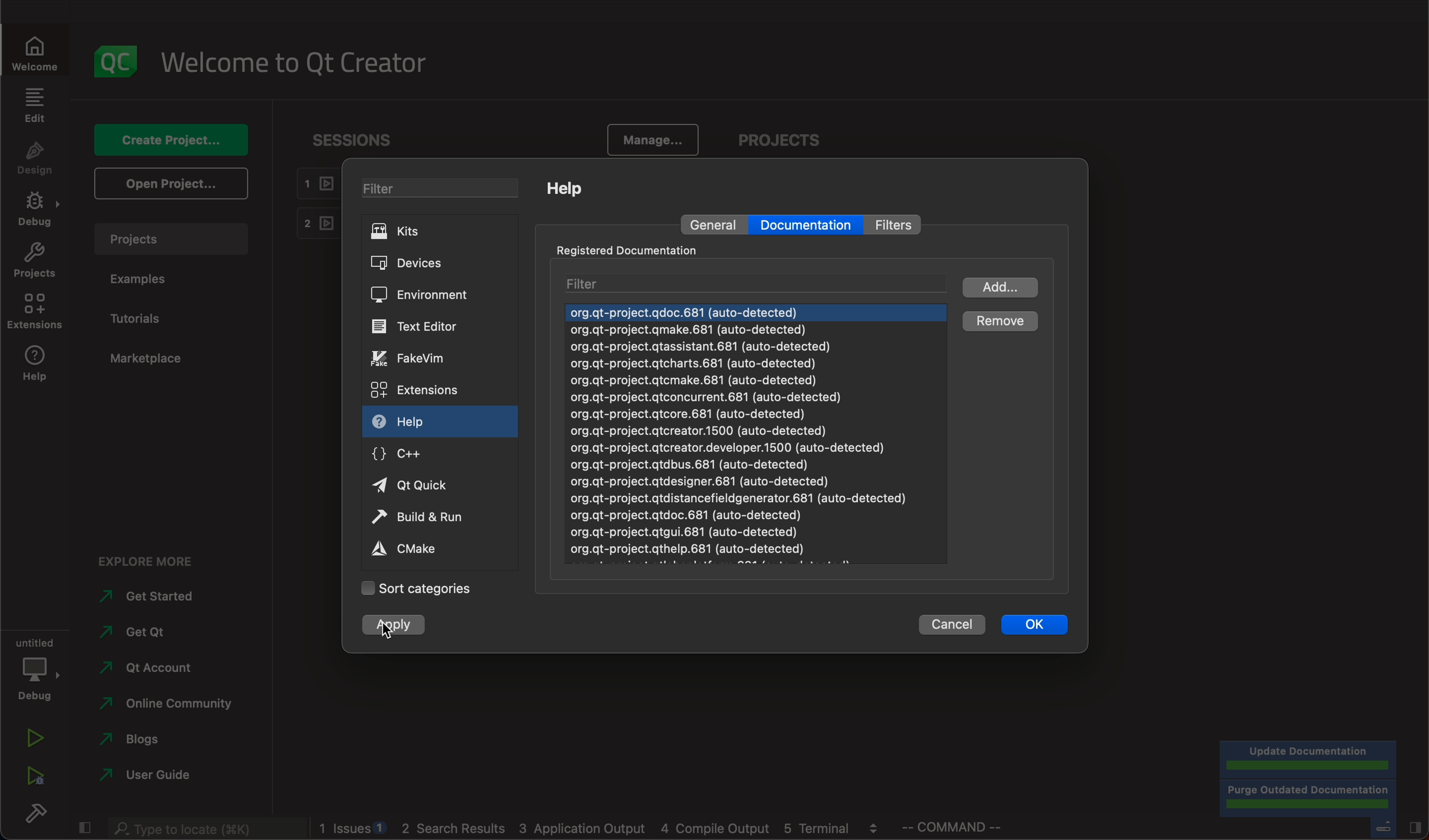  I want to click on filter, so click(902, 223).